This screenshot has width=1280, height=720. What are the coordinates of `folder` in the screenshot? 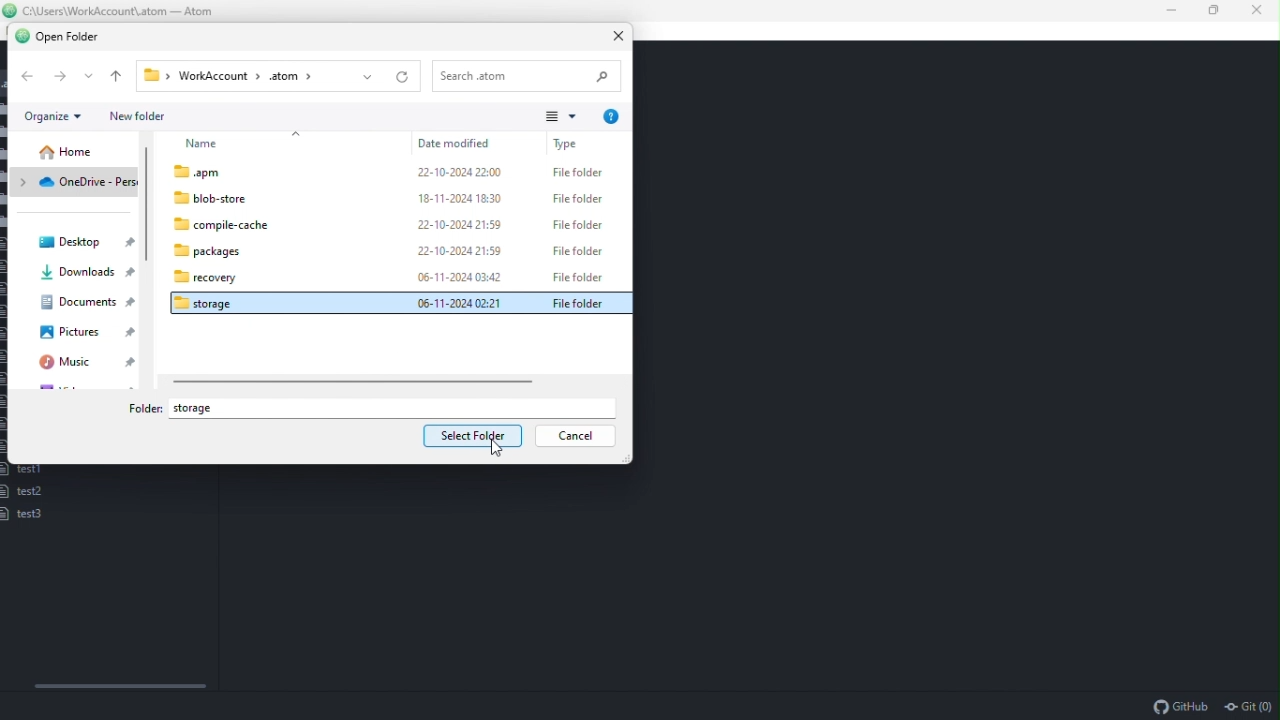 It's located at (139, 409).